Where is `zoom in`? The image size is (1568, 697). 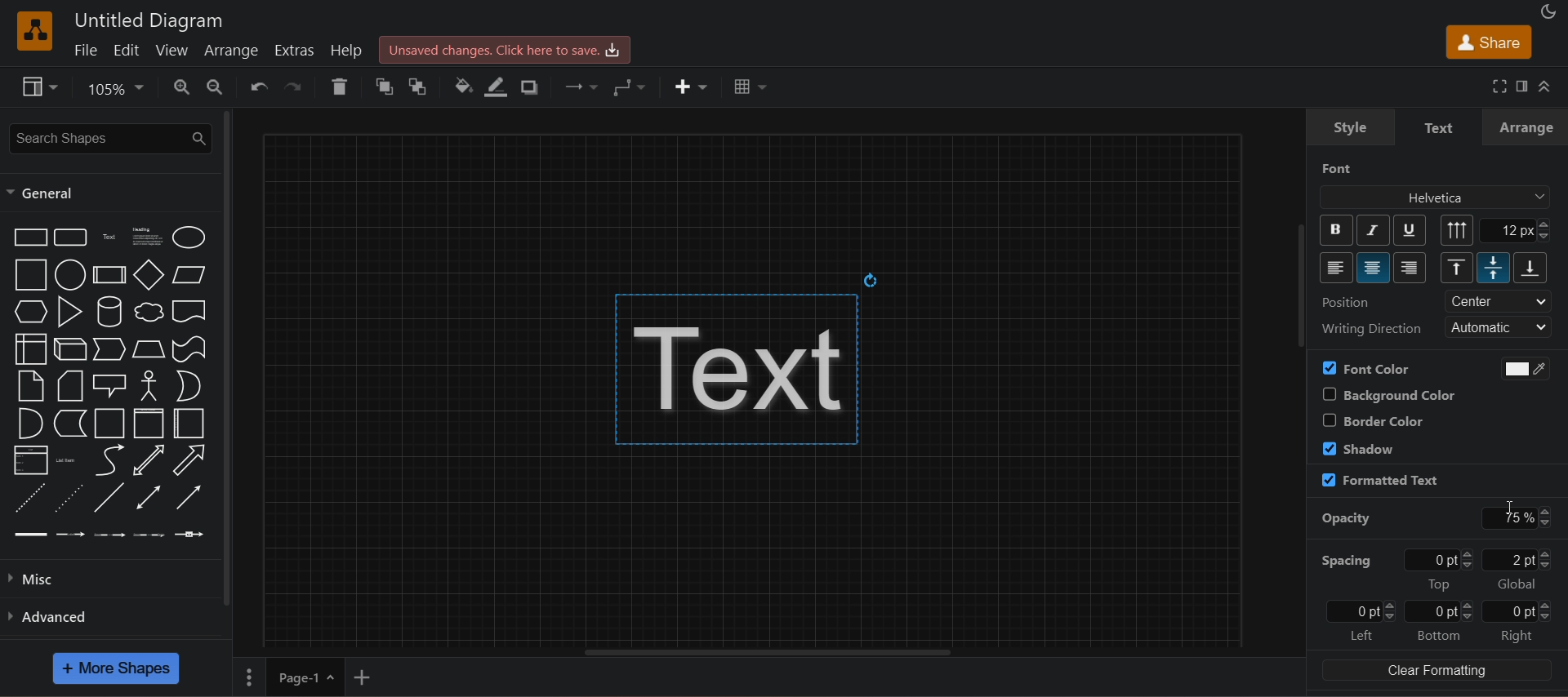
zoom in is located at coordinates (182, 88).